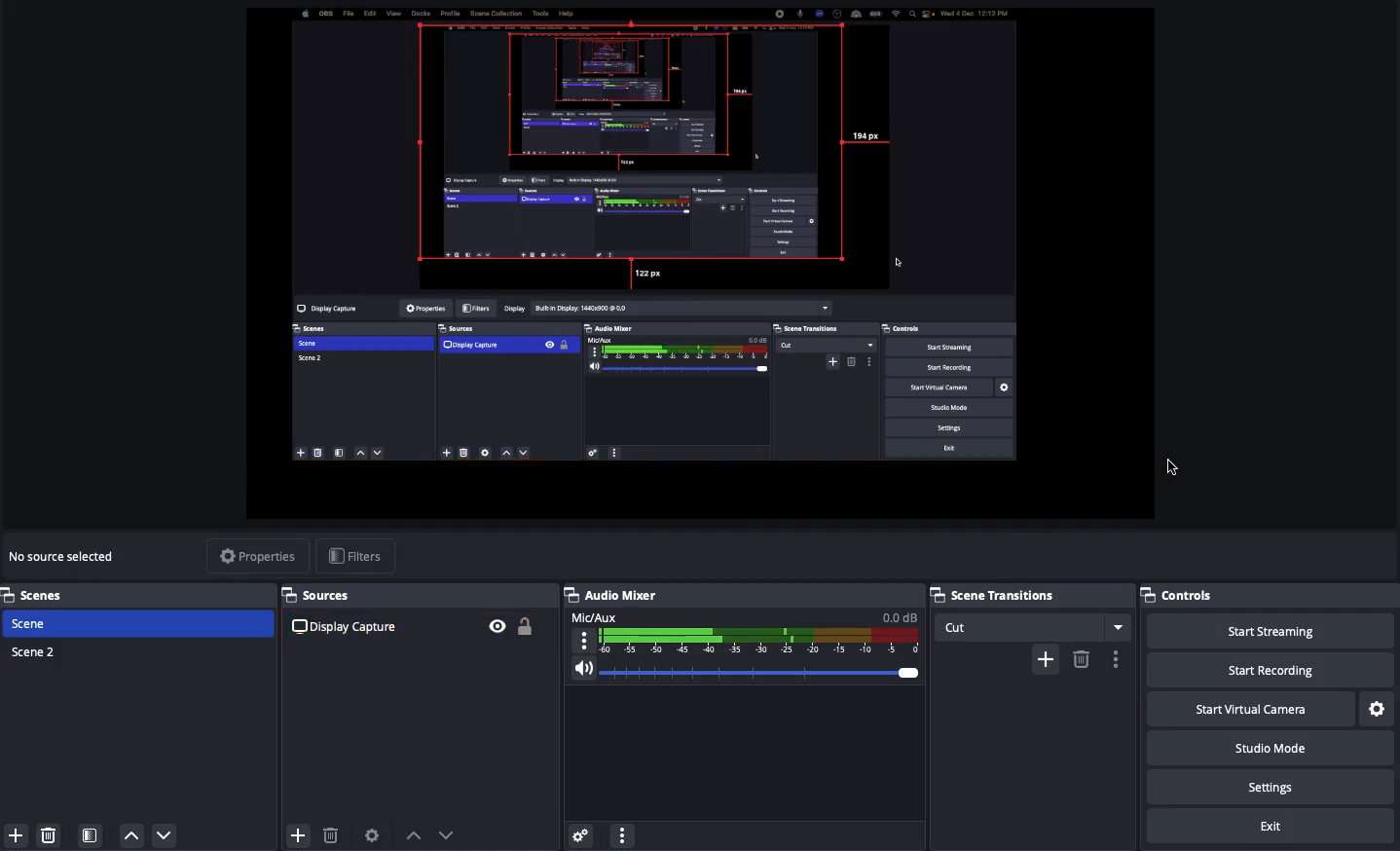  I want to click on Advanced audio menu, so click(580, 833).